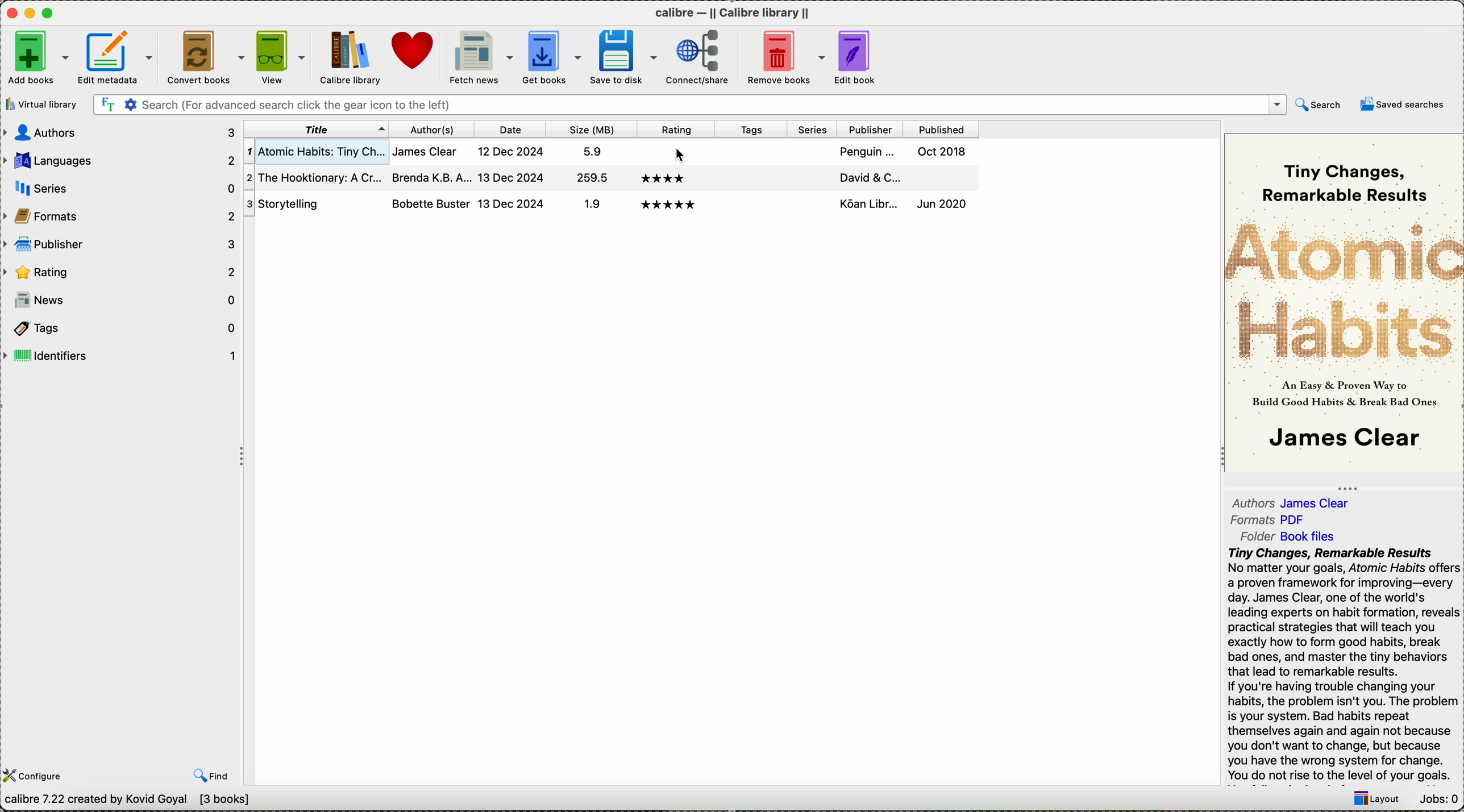  Describe the element at coordinates (511, 176) in the screenshot. I see `13 dec 2024` at that location.